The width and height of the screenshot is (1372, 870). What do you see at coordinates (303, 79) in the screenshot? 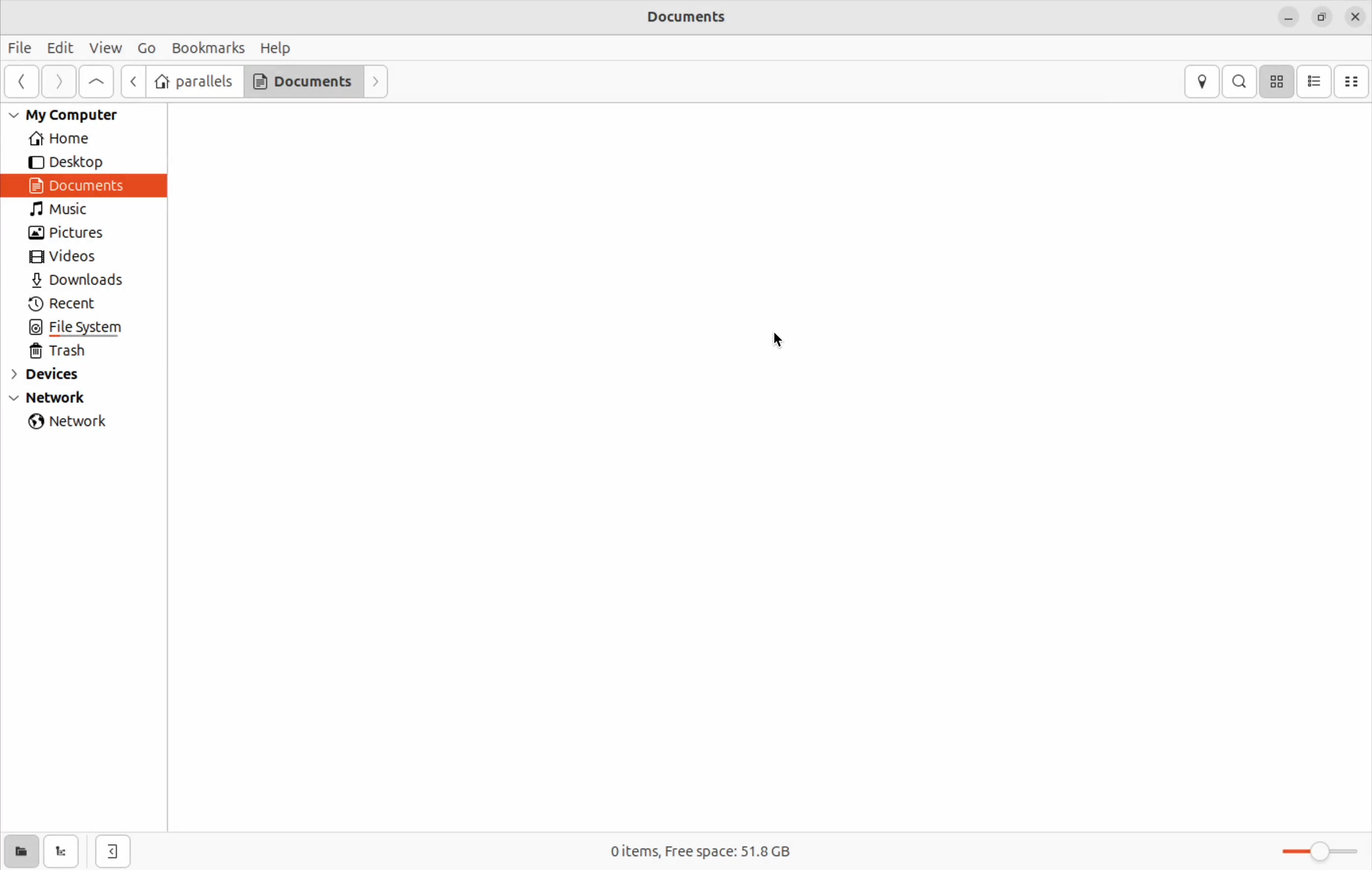
I see `Documents` at bounding box center [303, 79].